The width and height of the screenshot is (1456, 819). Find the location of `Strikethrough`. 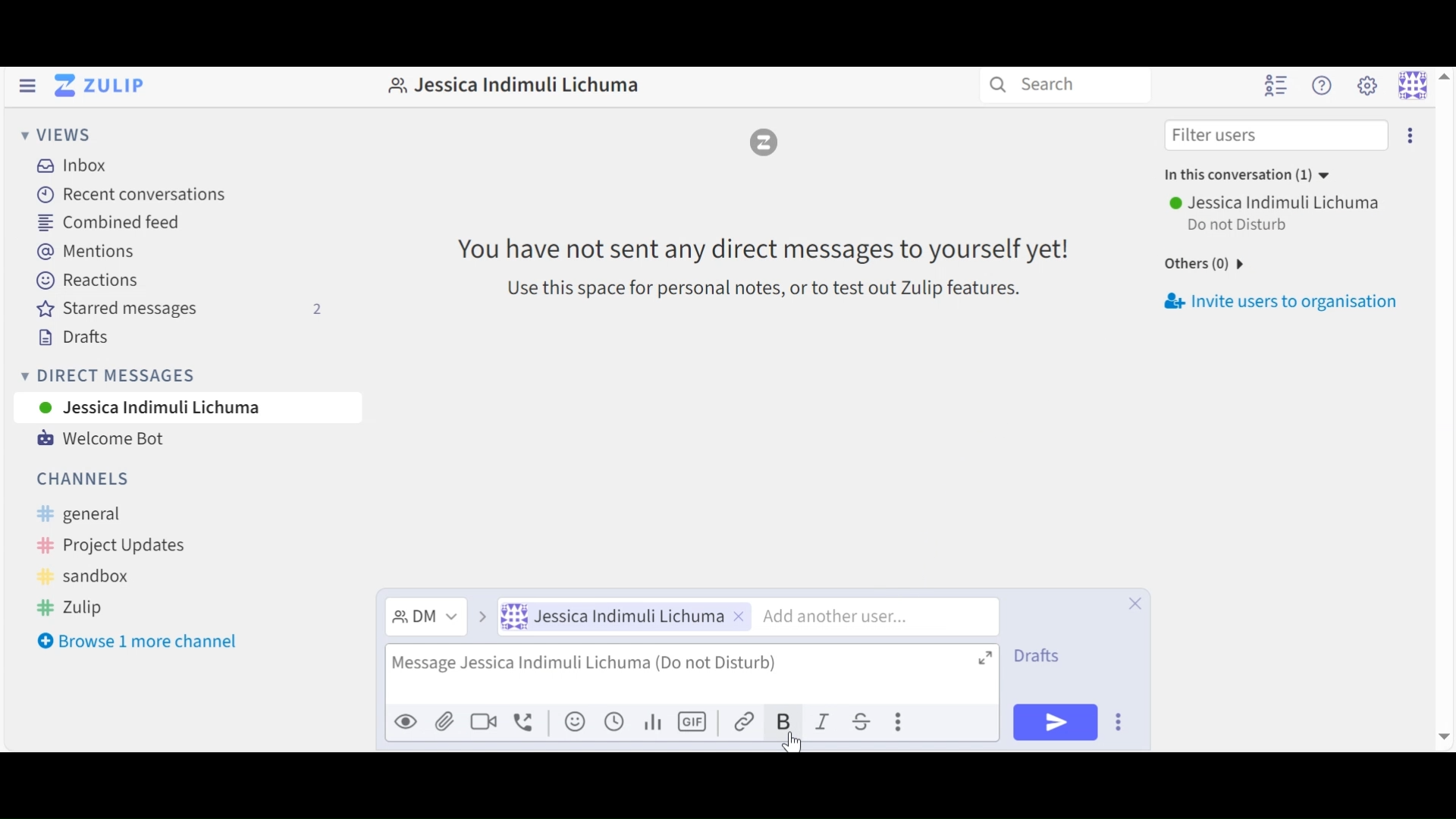

Strikethrough is located at coordinates (867, 721).